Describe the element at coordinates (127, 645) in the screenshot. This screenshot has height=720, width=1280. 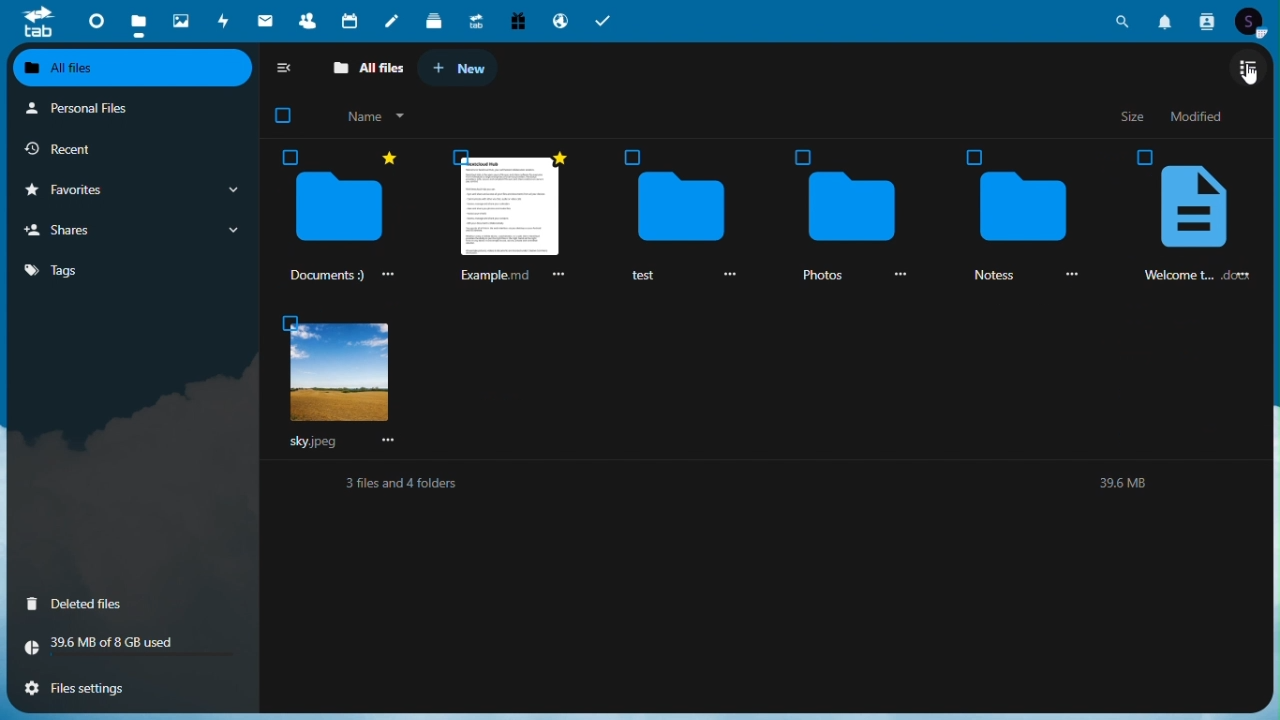
I see `storage` at that location.